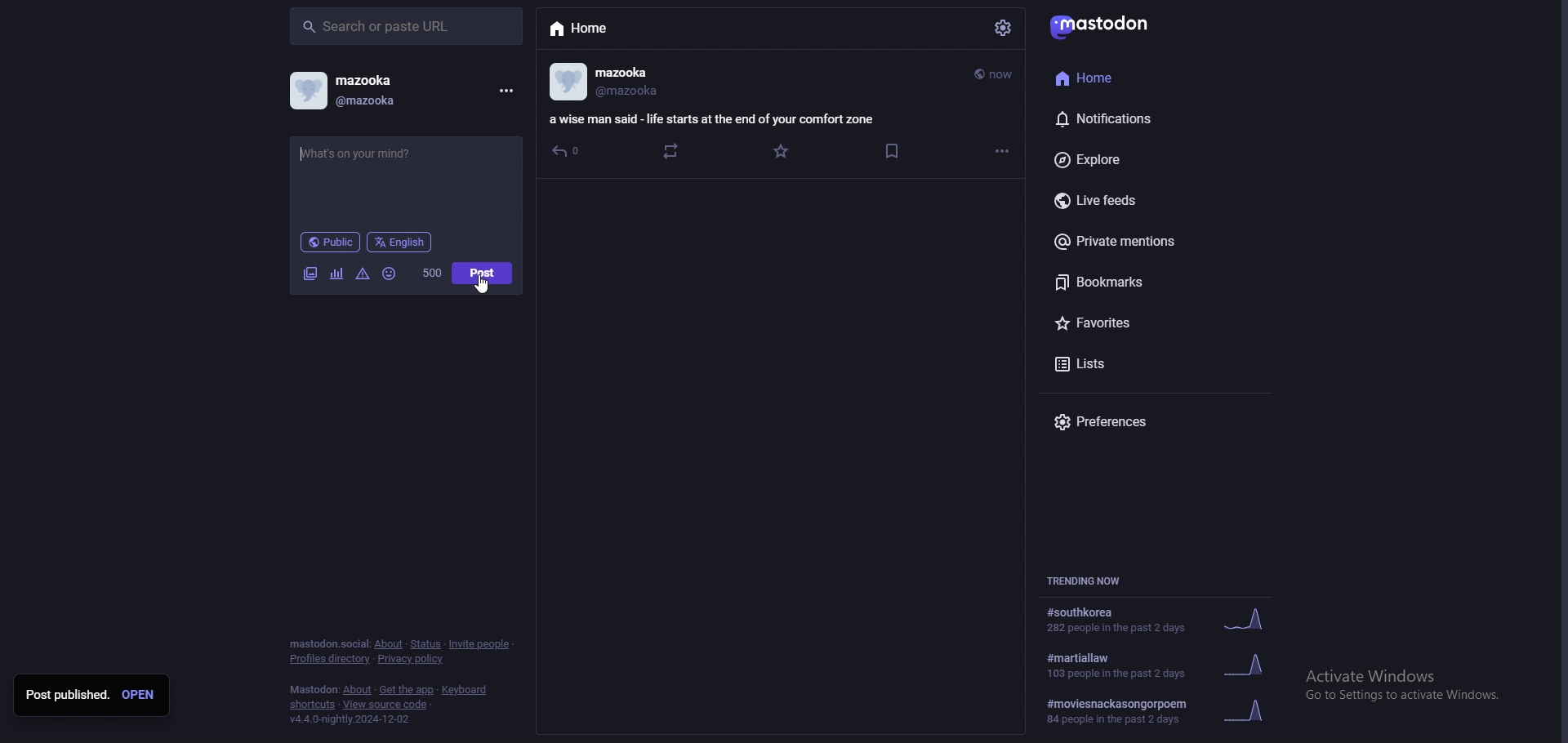  I want to click on about, so click(389, 644).